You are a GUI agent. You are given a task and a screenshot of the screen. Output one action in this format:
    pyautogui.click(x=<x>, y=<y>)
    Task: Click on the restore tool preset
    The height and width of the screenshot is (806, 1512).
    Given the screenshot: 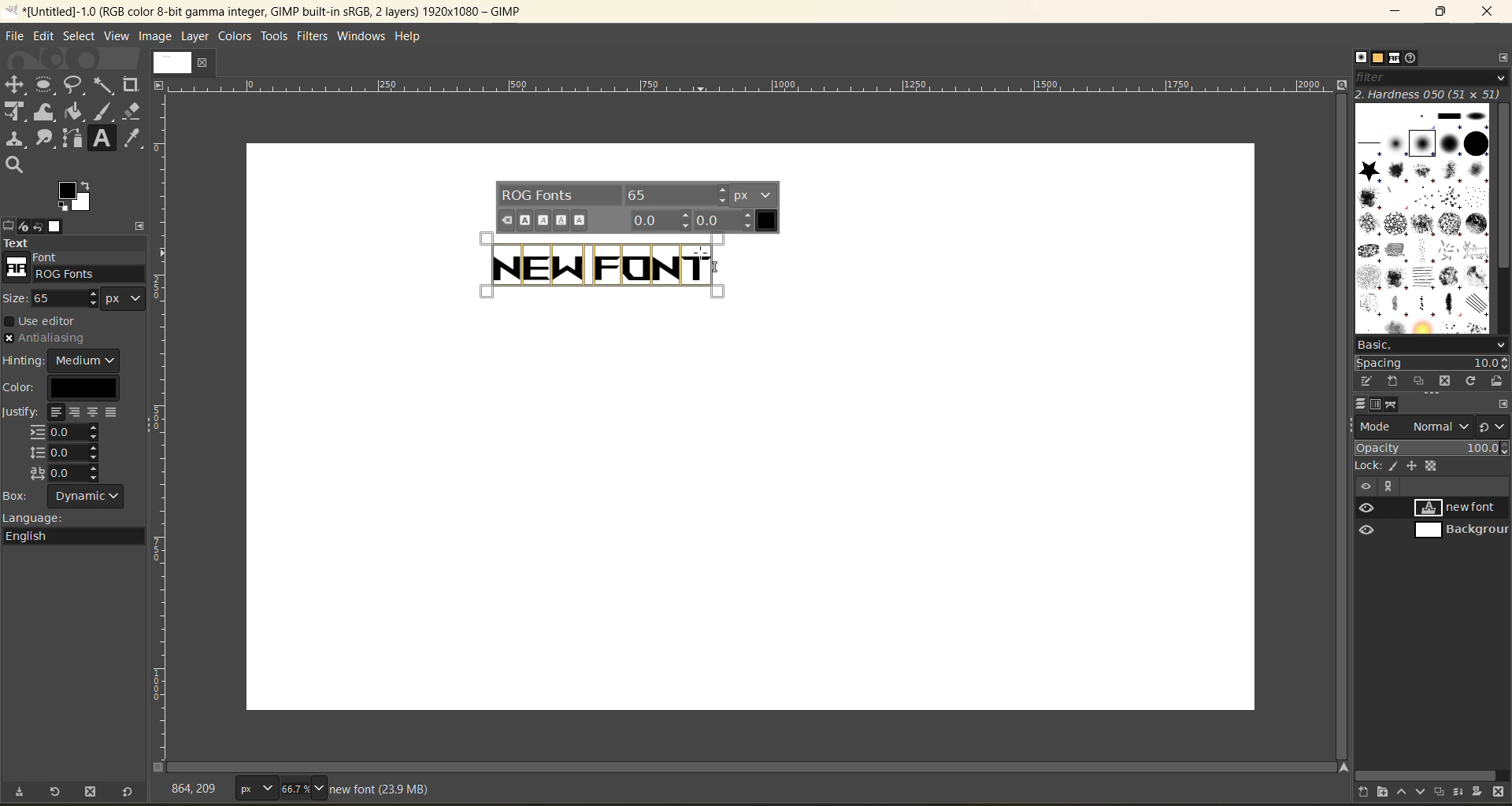 What is the action you would take?
    pyautogui.click(x=57, y=792)
    